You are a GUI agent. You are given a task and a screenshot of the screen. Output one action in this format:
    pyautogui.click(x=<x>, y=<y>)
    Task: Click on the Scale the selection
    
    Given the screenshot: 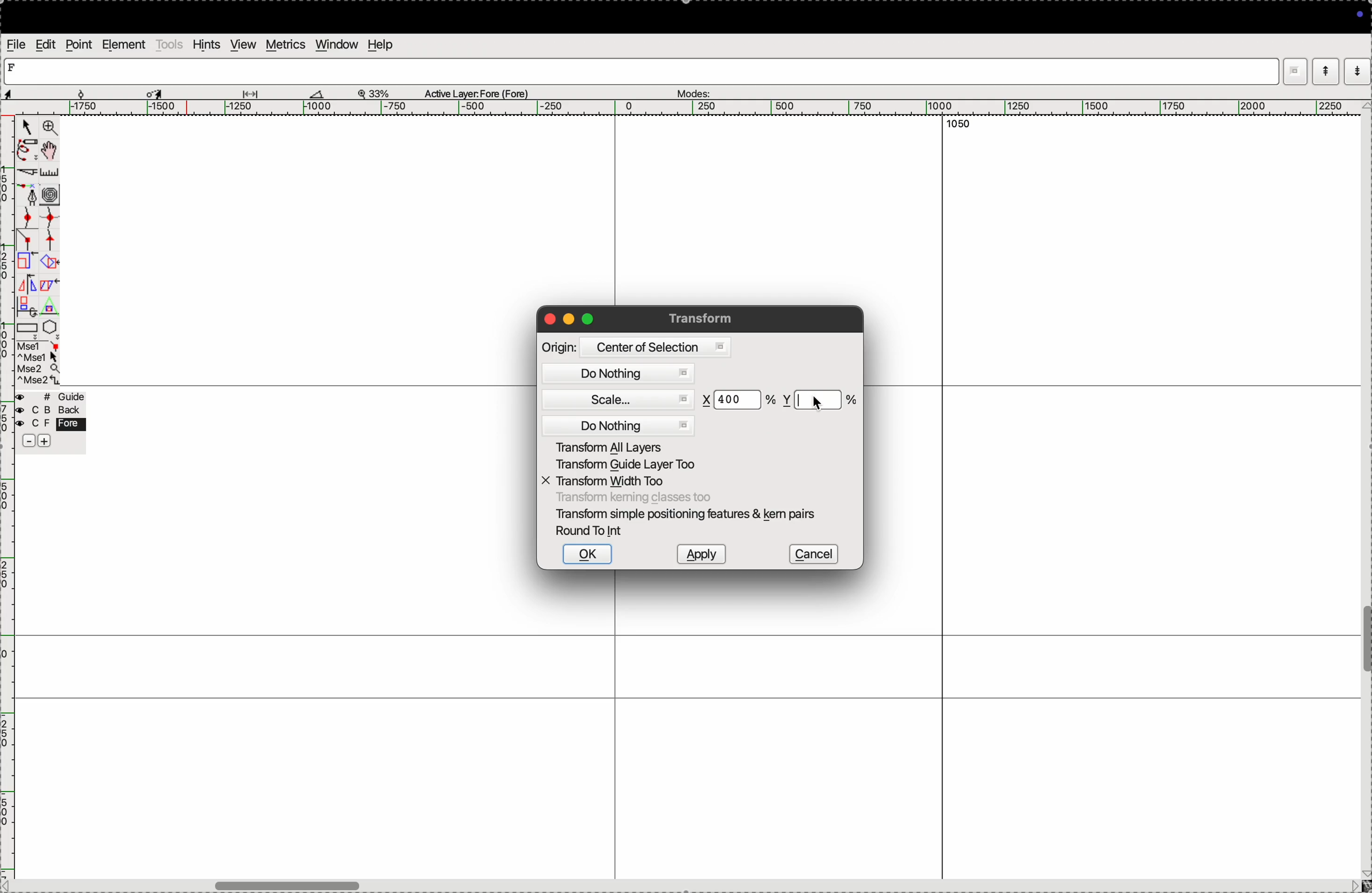 What is the action you would take?
    pyautogui.click(x=27, y=264)
    